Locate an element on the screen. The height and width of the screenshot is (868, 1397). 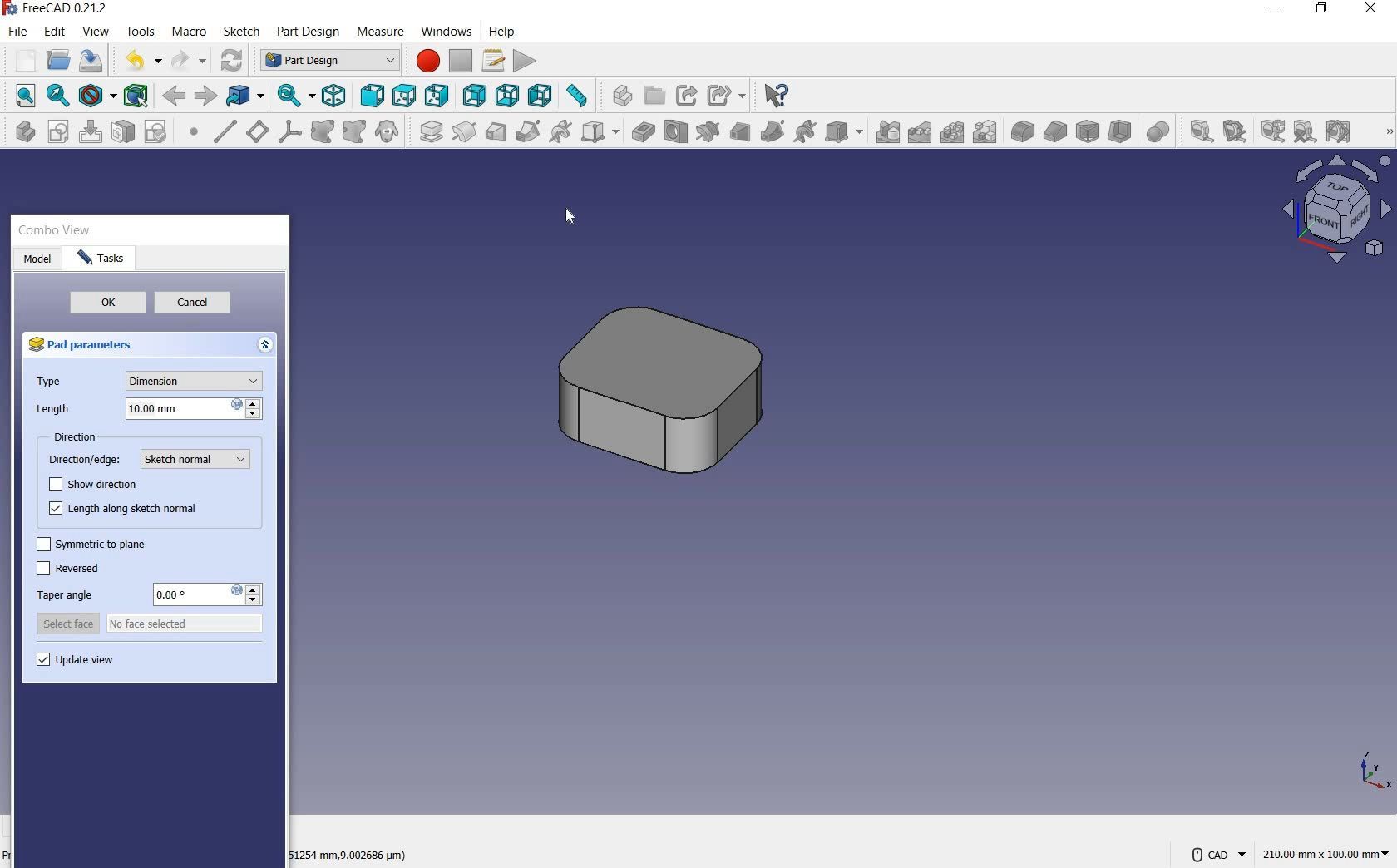
Share options is located at coordinates (728, 93).